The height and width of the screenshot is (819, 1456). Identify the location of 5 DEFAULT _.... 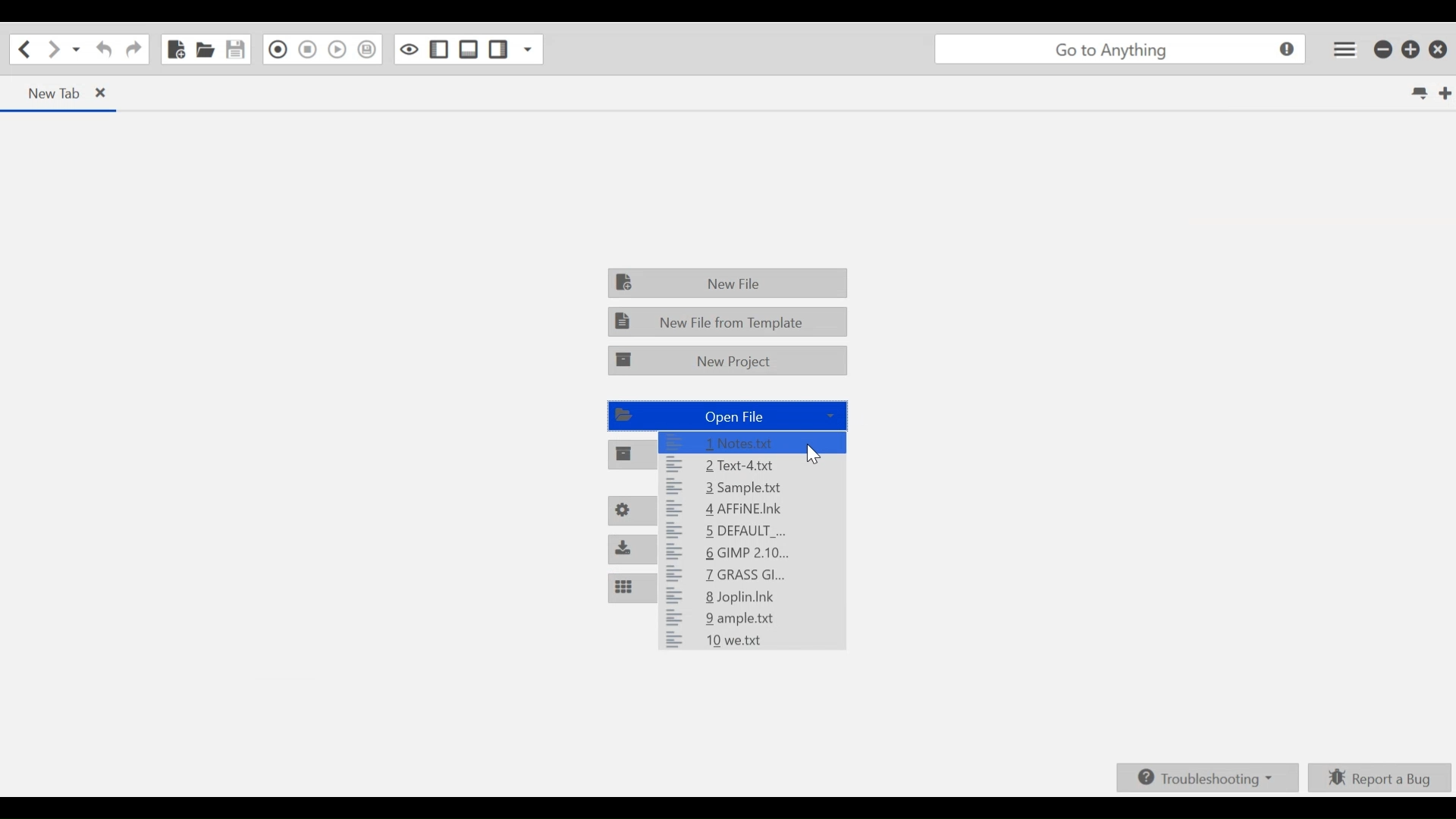
(758, 529).